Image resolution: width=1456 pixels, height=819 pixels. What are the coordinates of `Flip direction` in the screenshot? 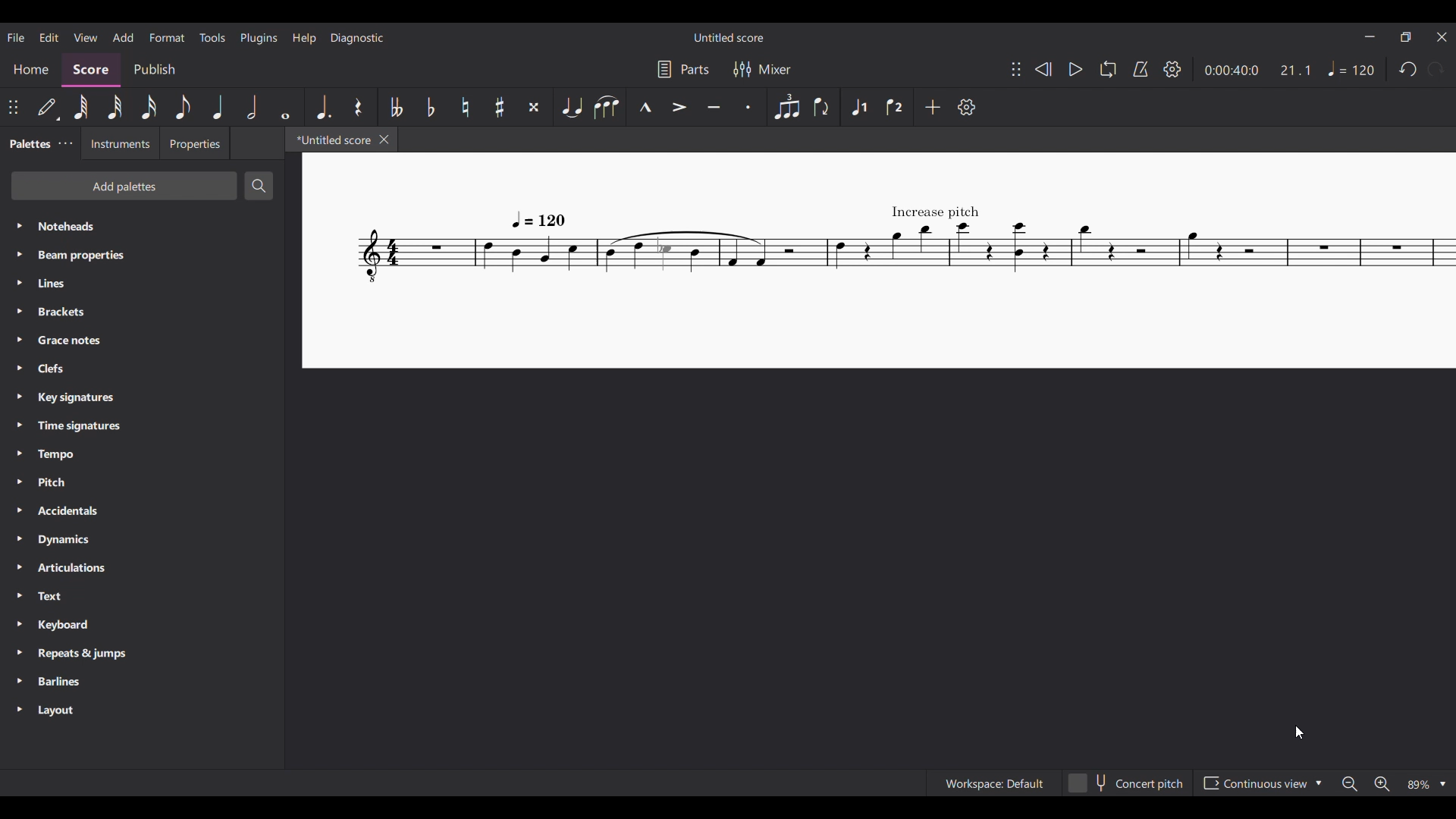 It's located at (824, 107).